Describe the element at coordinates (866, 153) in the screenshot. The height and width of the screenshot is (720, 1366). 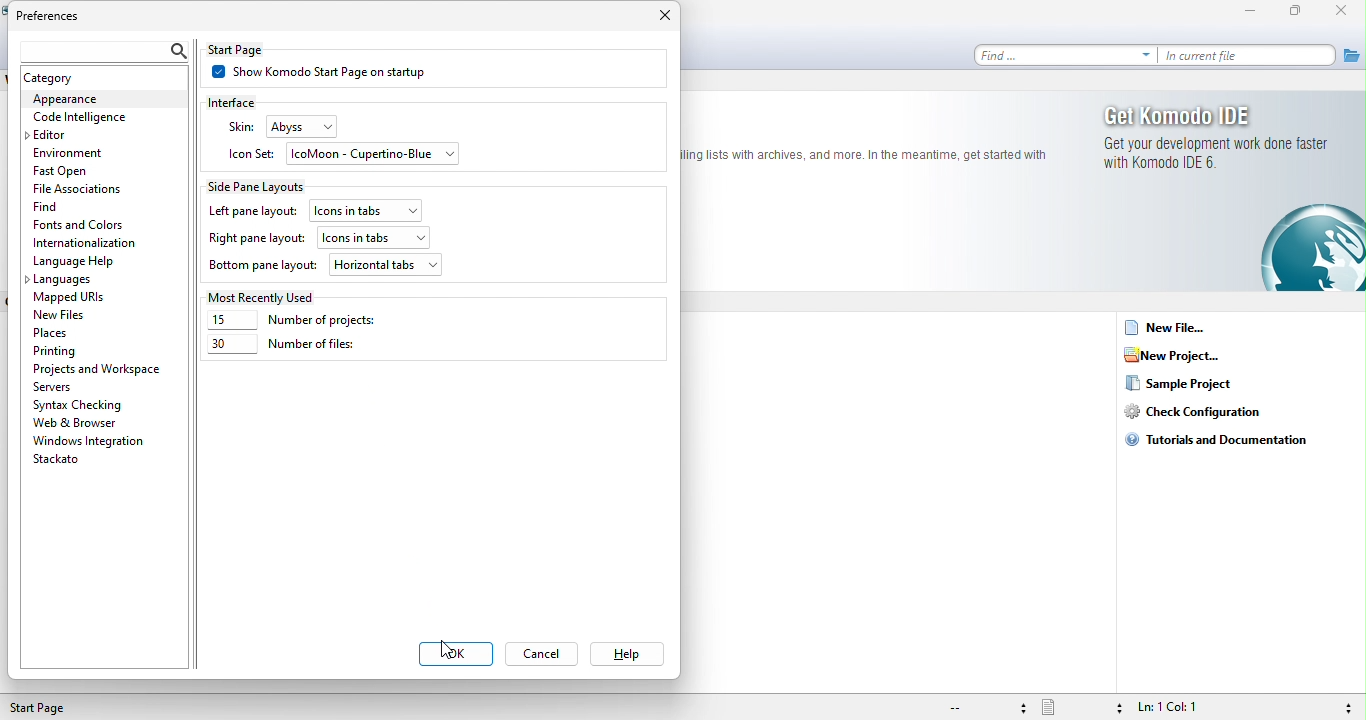
I see `text` at that location.